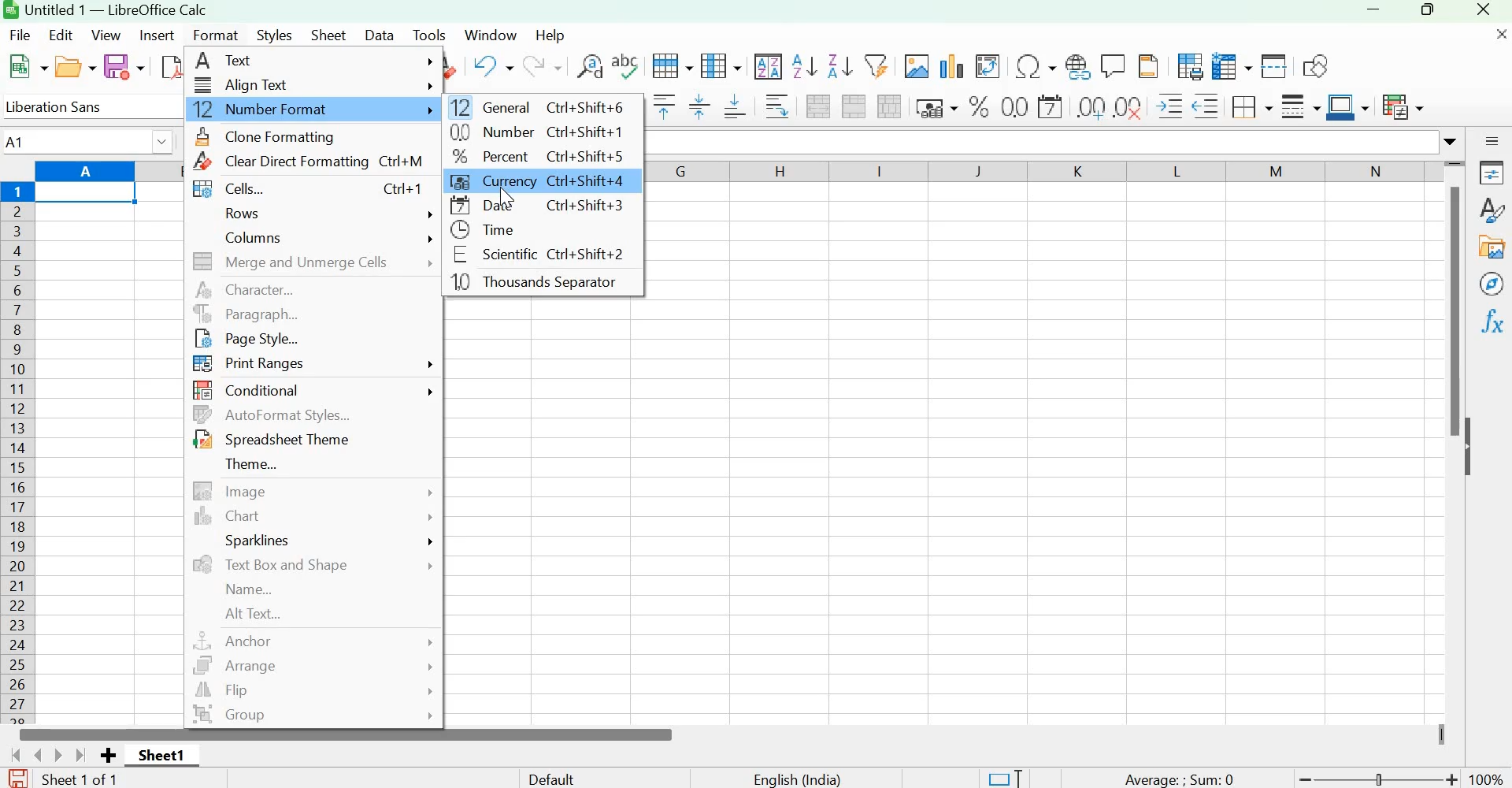  Describe the element at coordinates (282, 136) in the screenshot. I see `Clone formatting` at that location.